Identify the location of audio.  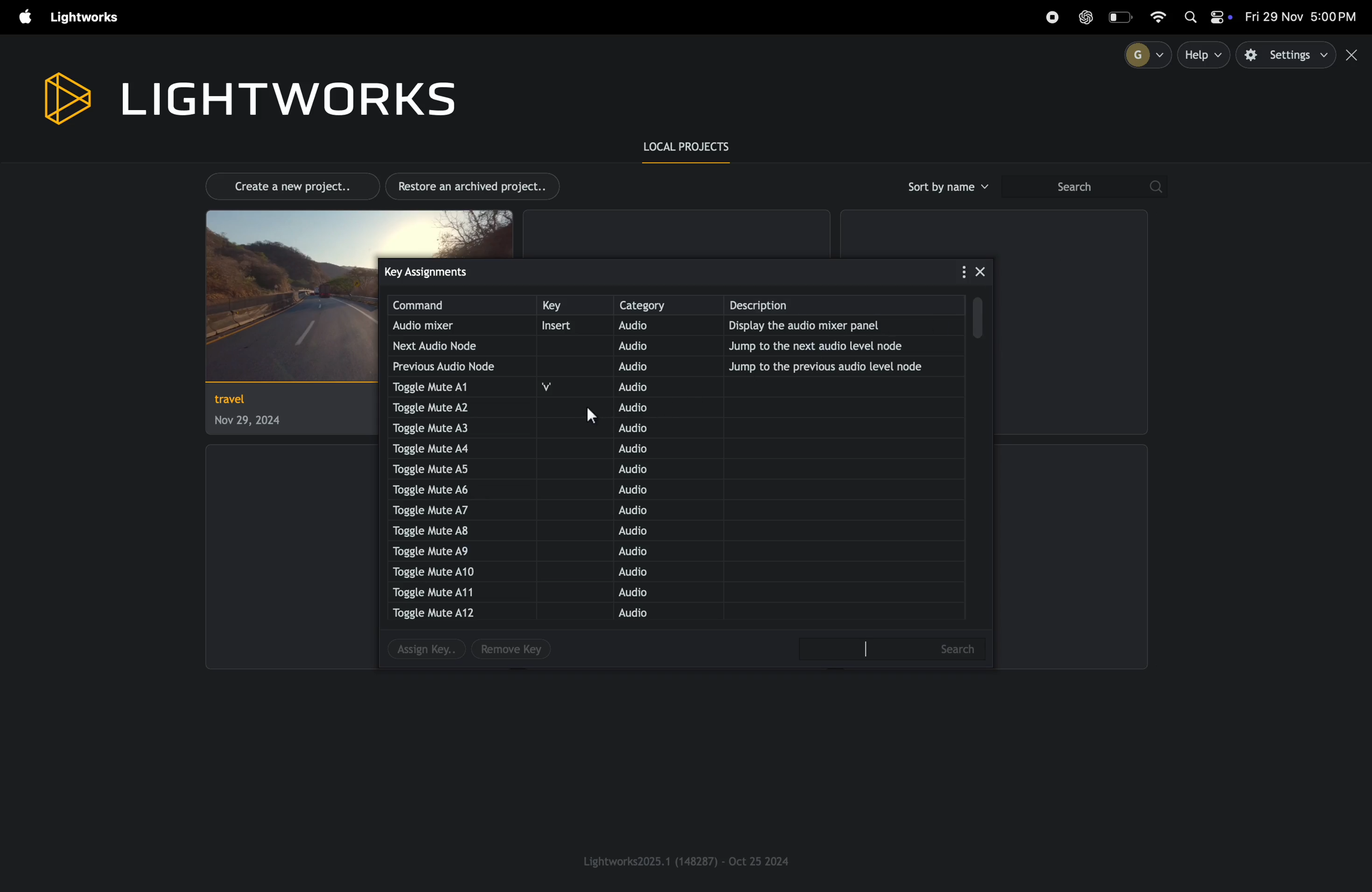
(642, 511).